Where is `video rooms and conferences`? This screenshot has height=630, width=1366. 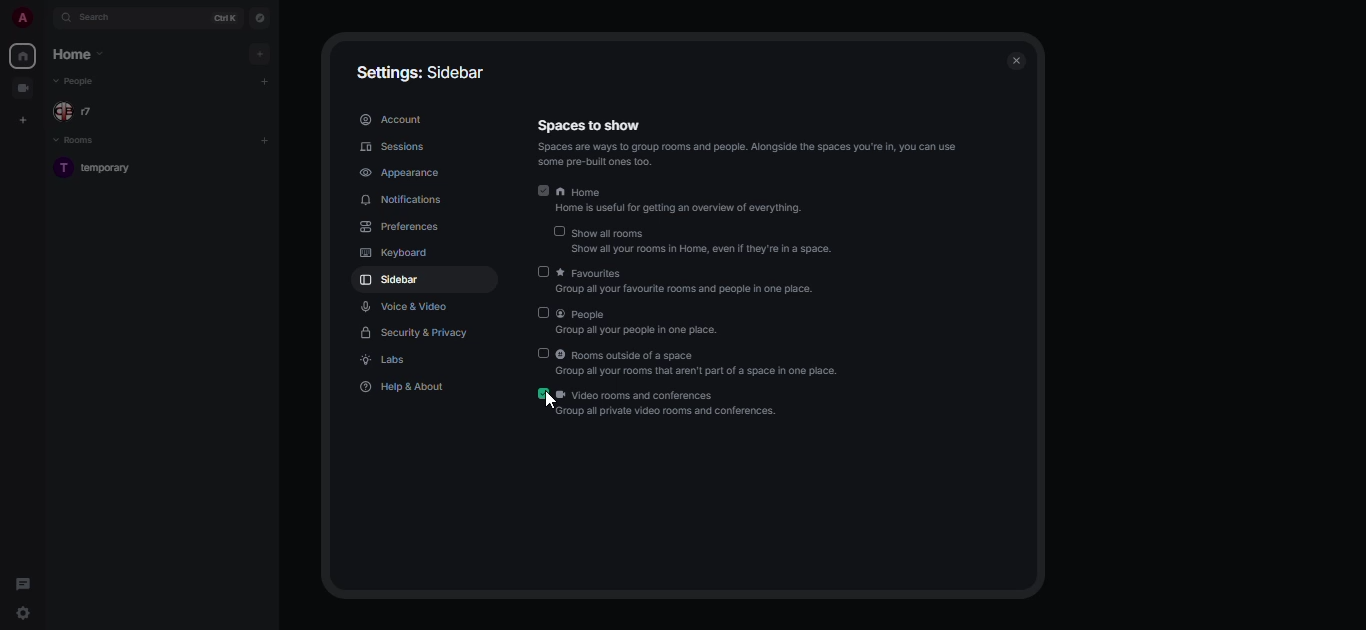
video rooms and conferences is located at coordinates (672, 404).